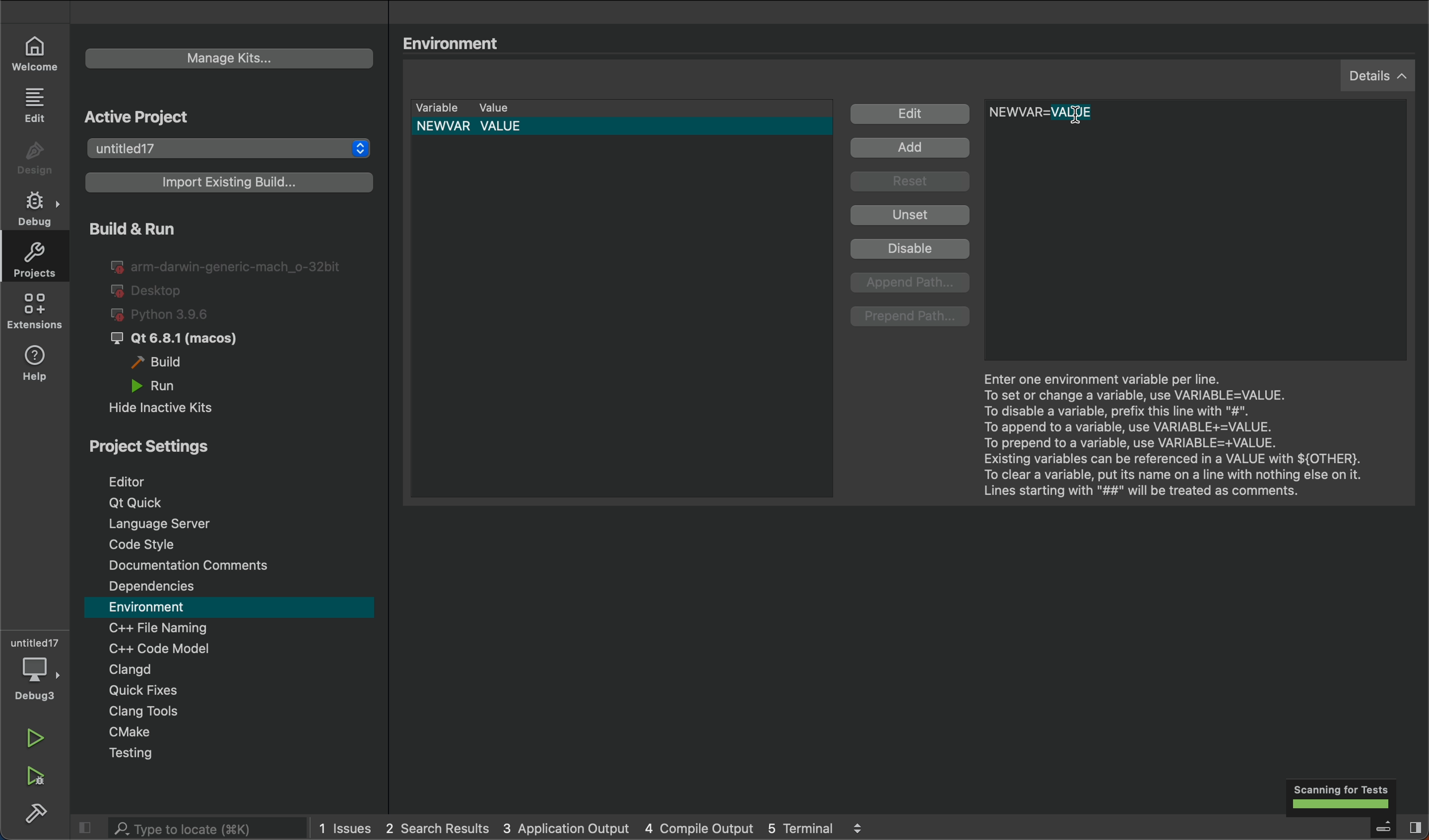 The image size is (1429, 840). I want to click on append, so click(912, 283).